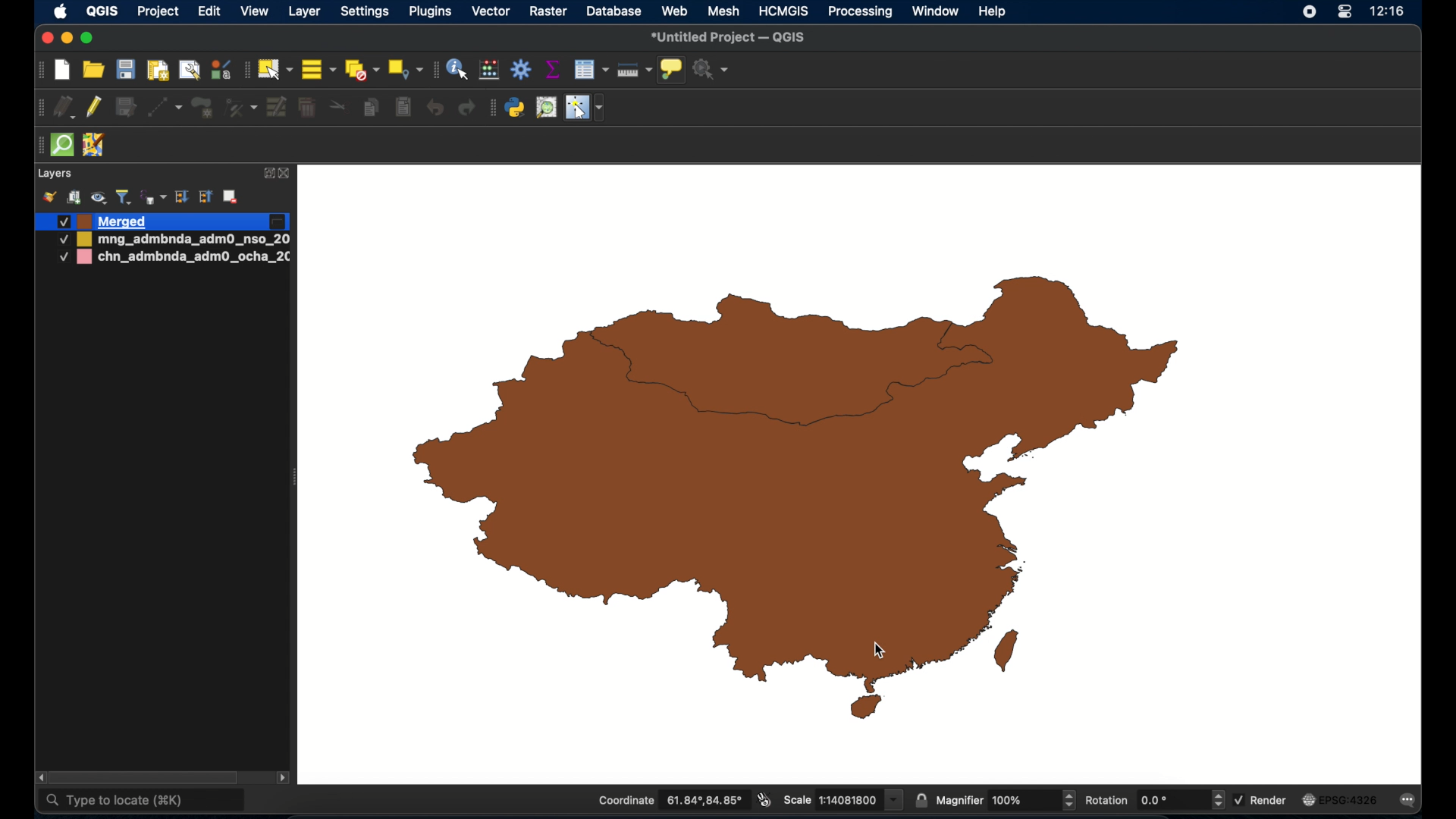 This screenshot has height=819, width=1456. Describe the element at coordinates (339, 107) in the screenshot. I see `cut features` at that location.